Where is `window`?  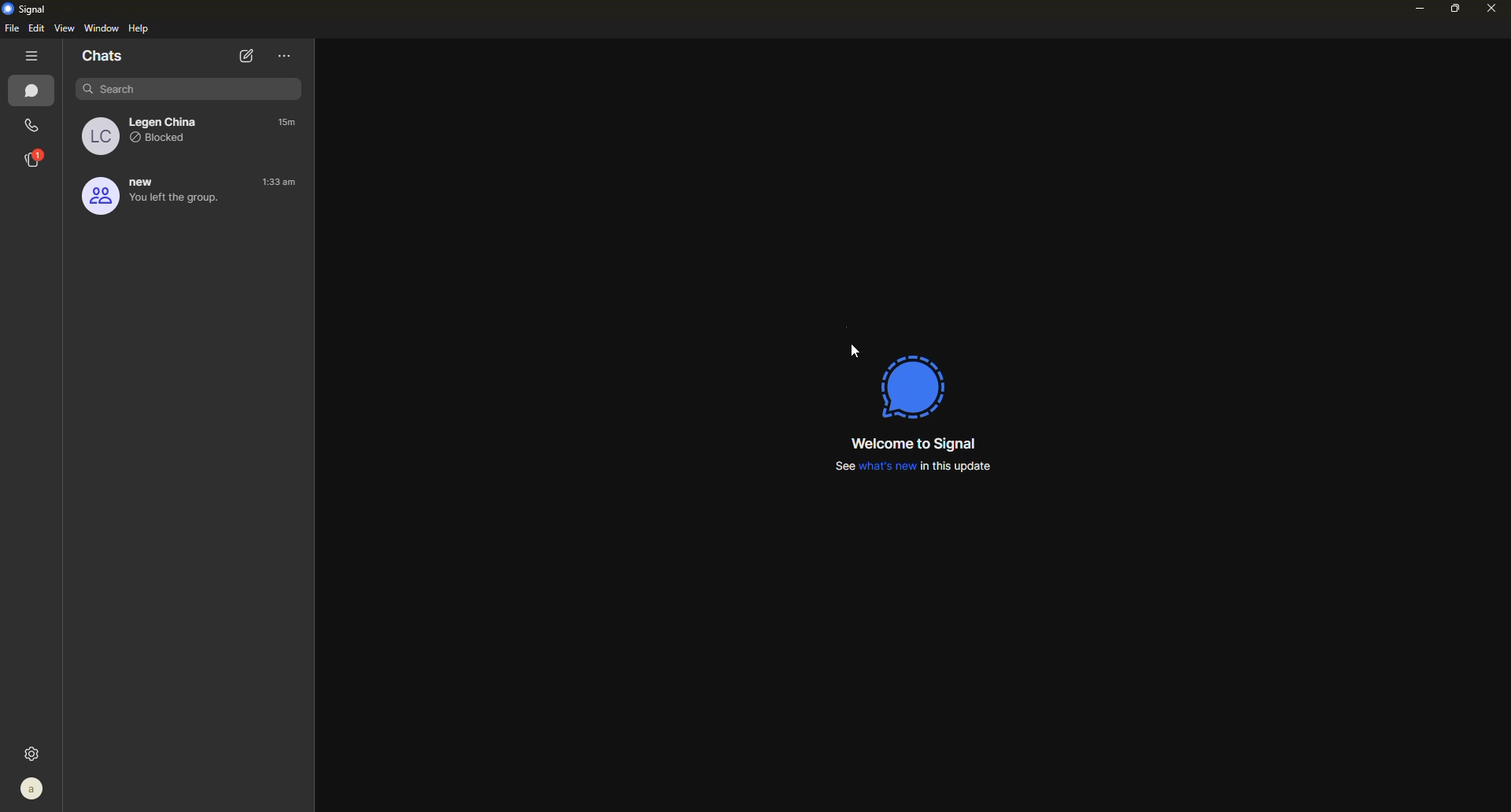 window is located at coordinates (103, 28).